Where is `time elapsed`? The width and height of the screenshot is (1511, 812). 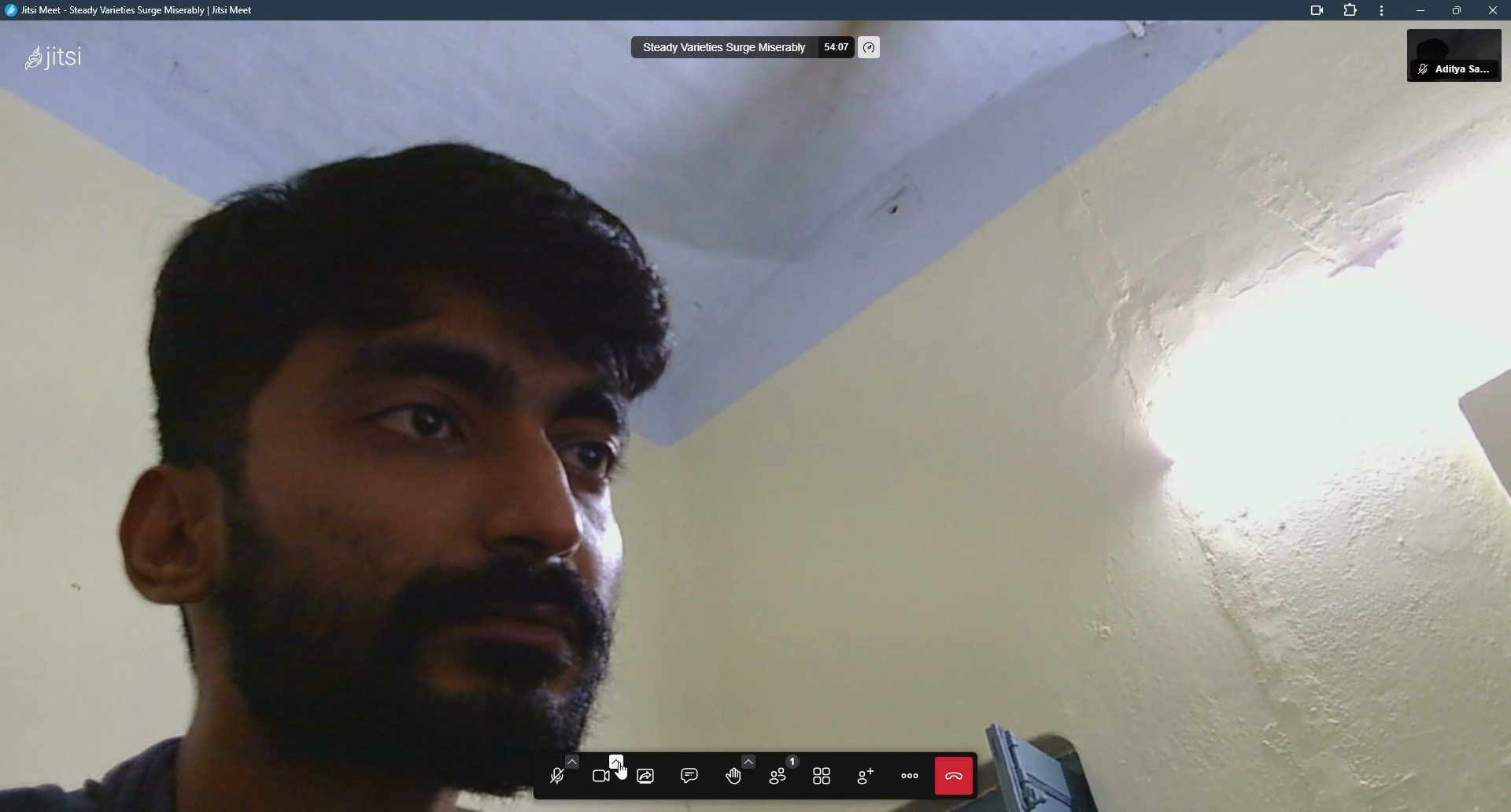 time elapsed is located at coordinates (834, 48).